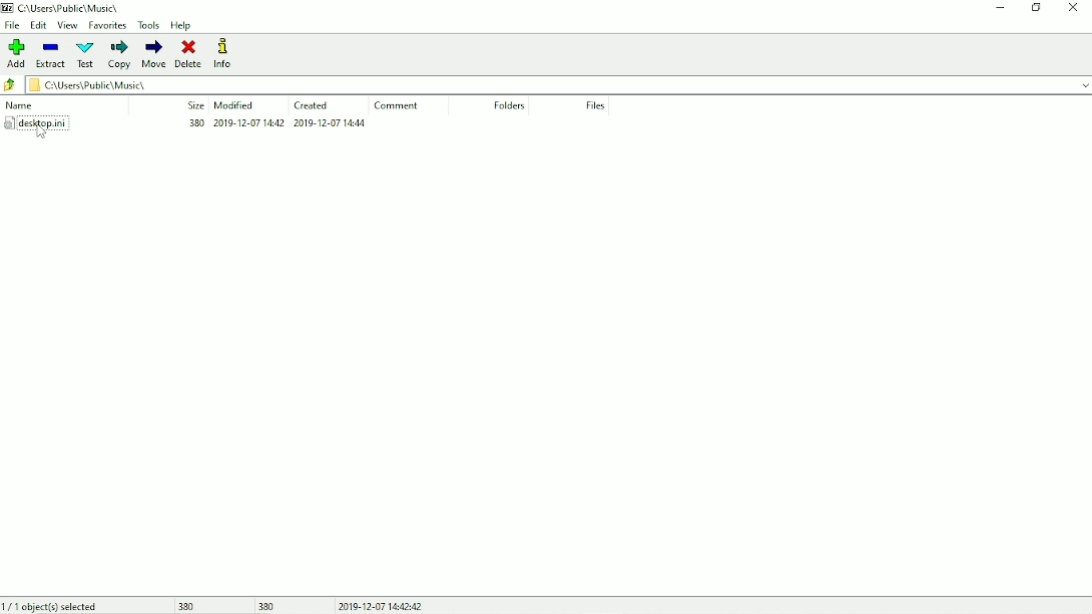 The image size is (1092, 614). What do you see at coordinates (69, 7) in the screenshot?
I see `c\users\Pubhc\Music\` at bounding box center [69, 7].